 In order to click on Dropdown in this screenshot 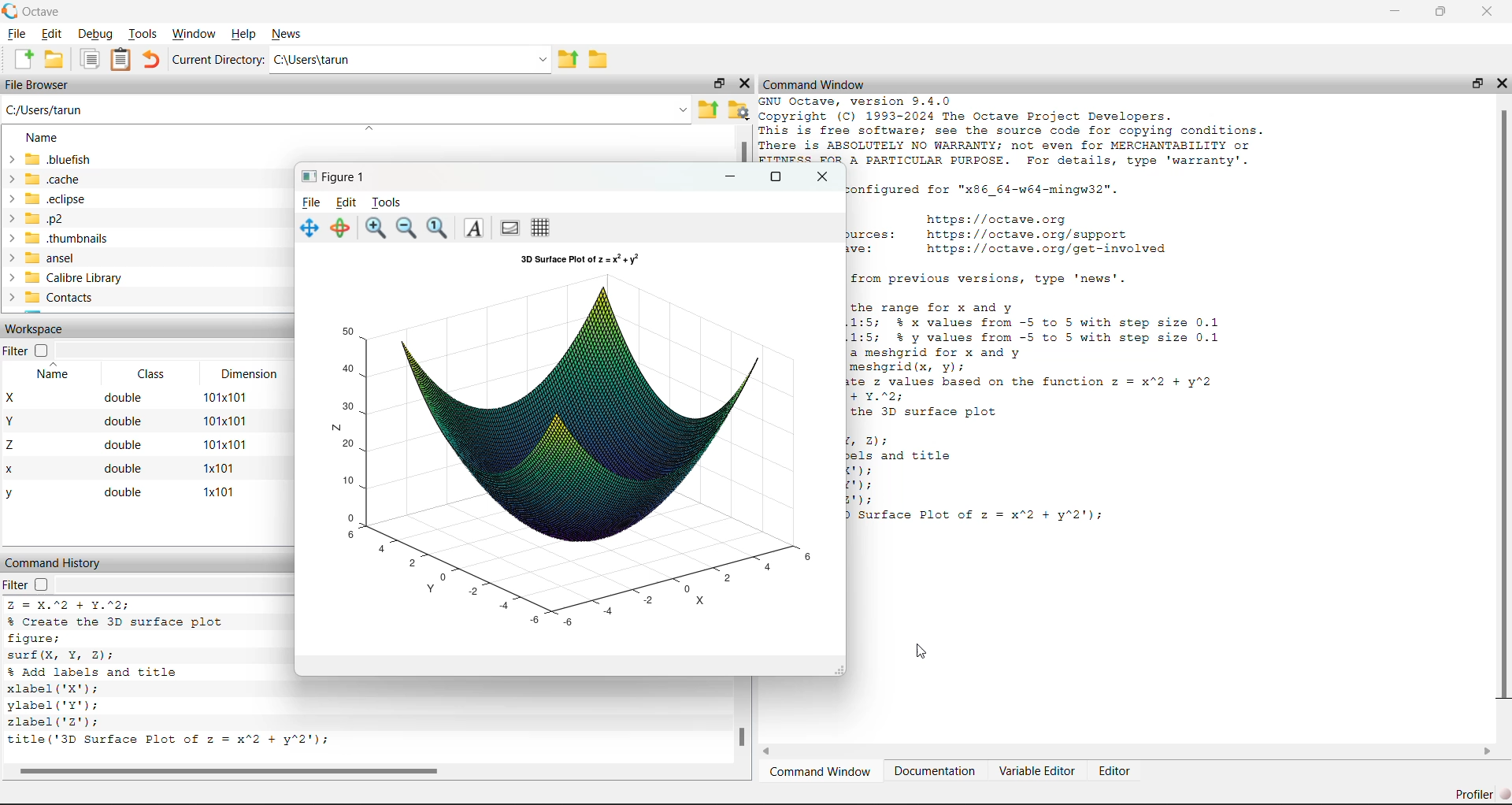, I will do `click(176, 349)`.